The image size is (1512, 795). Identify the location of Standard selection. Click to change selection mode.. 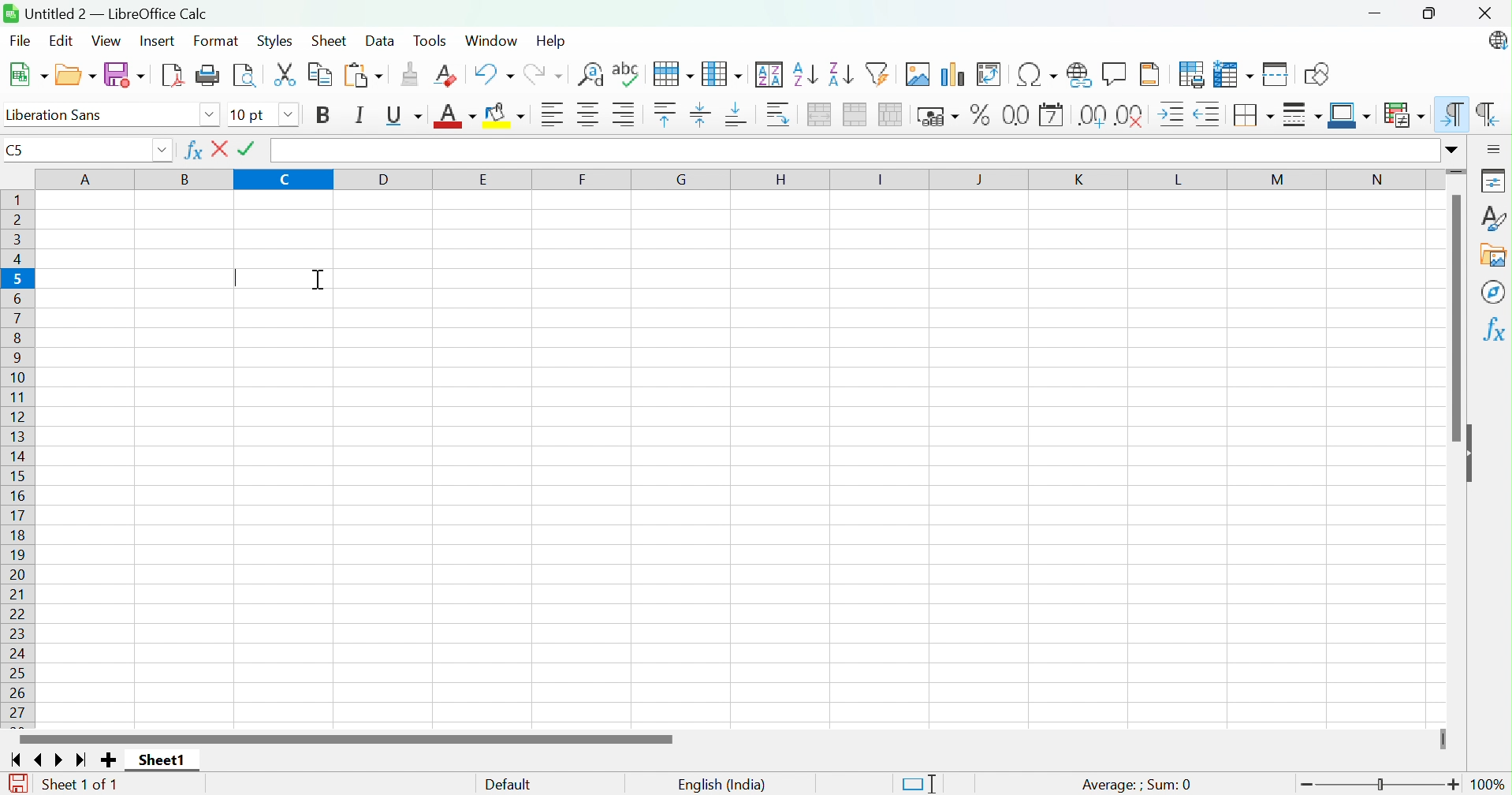
(918, 784).